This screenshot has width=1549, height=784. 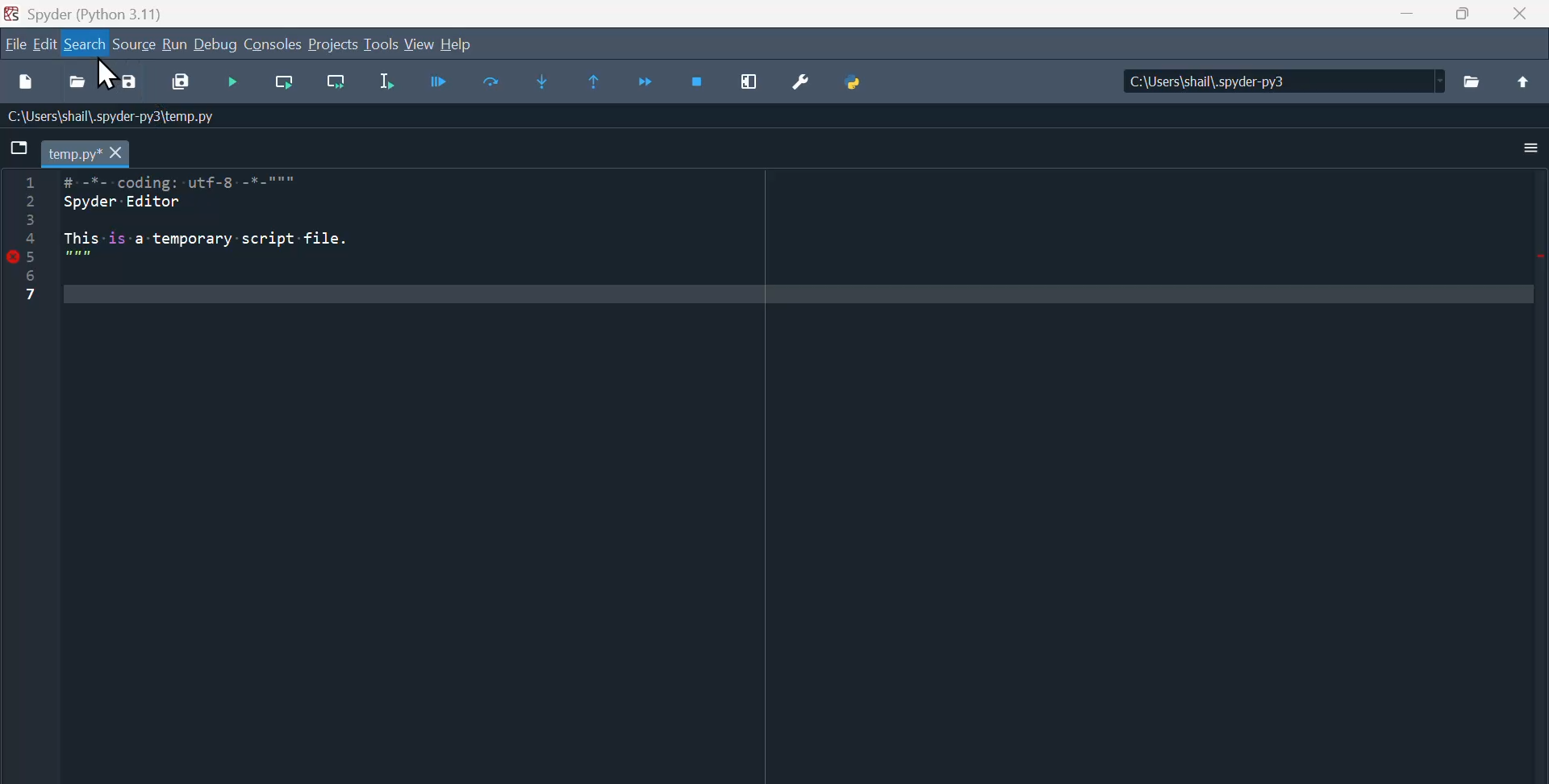 What do you see at coordinates (150, 14) in the screenshot?
I see `Spyder (Python 3.11)` at bounding box center [150, 14].